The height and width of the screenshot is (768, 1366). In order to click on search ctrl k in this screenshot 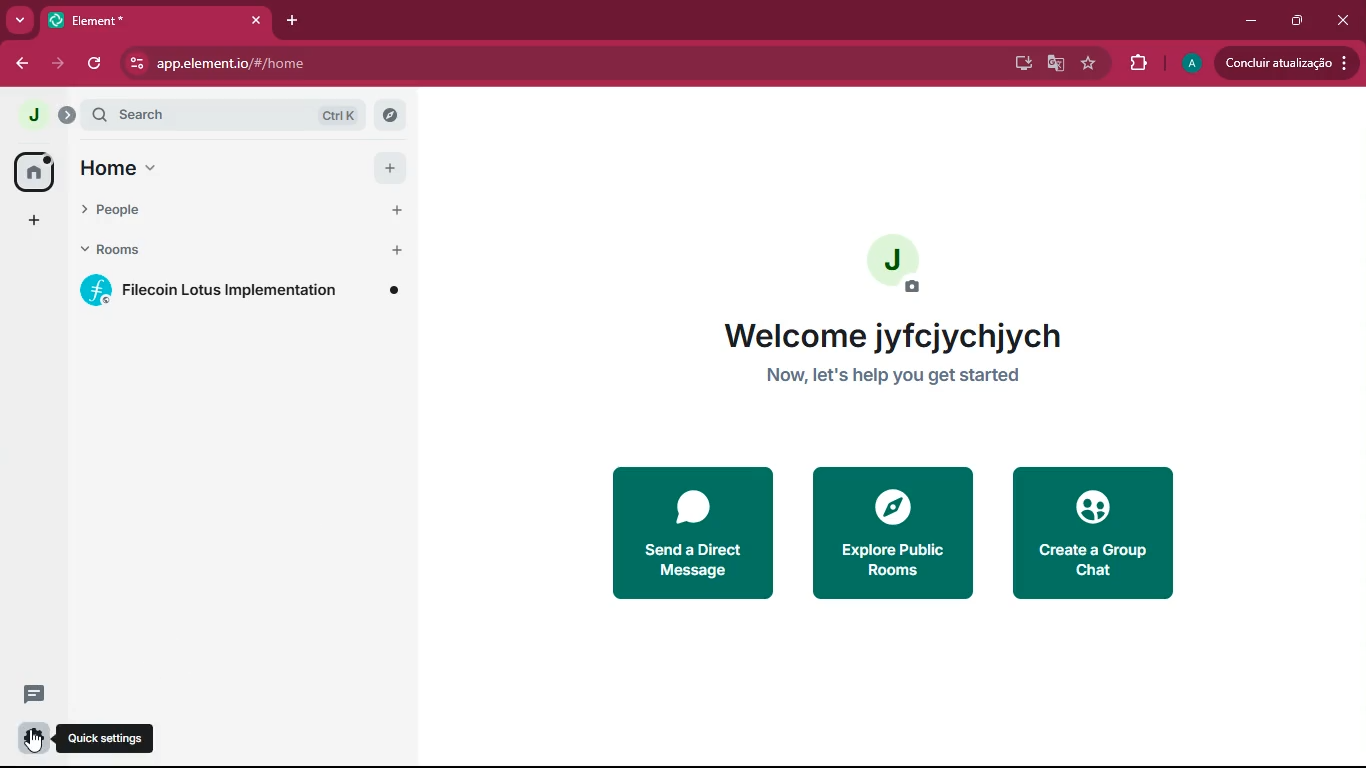, I will do `click(229, 114)`.